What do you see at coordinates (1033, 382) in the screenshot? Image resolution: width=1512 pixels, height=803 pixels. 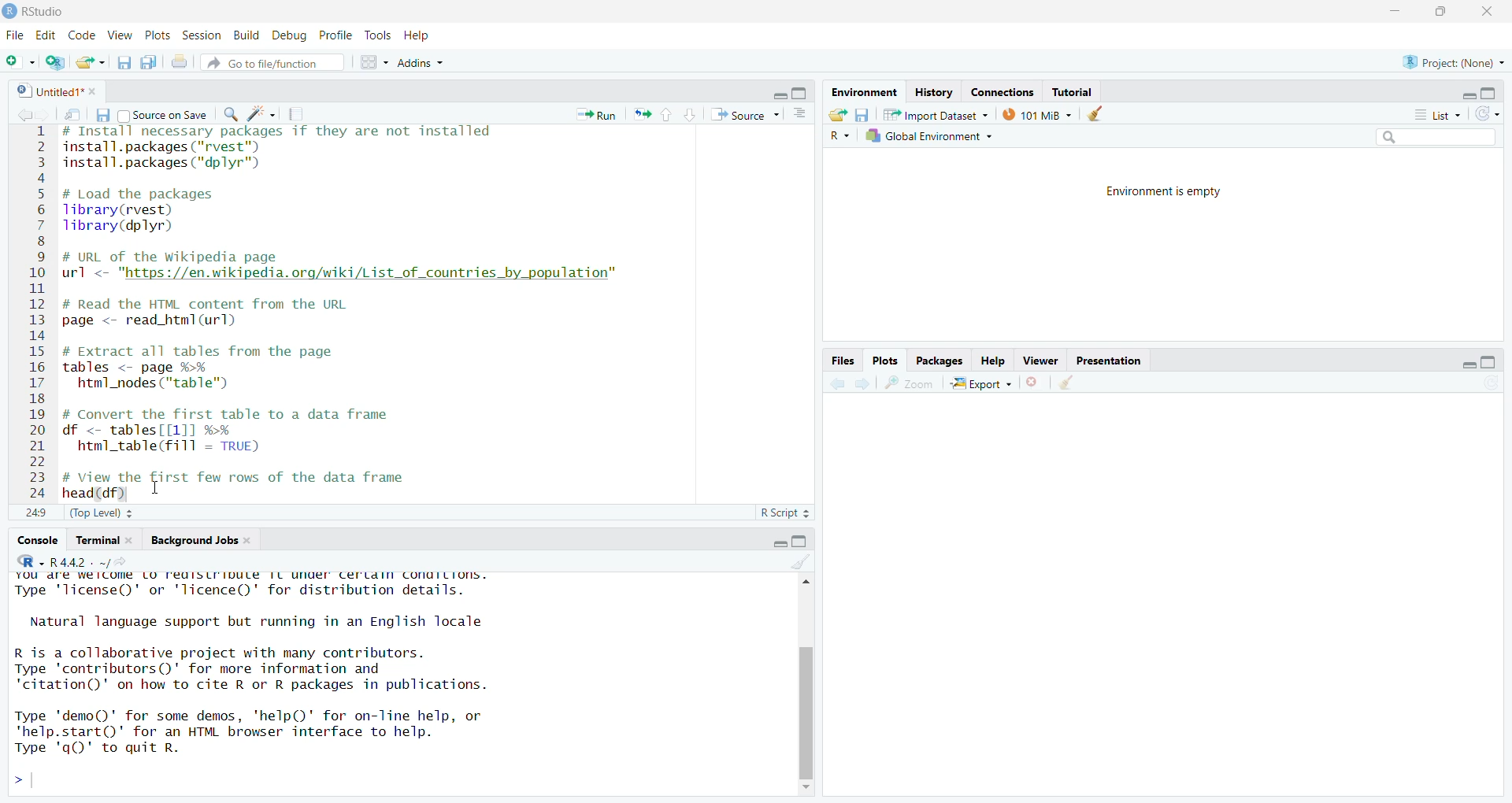 I see `close` at bounding box center [1033, 382].